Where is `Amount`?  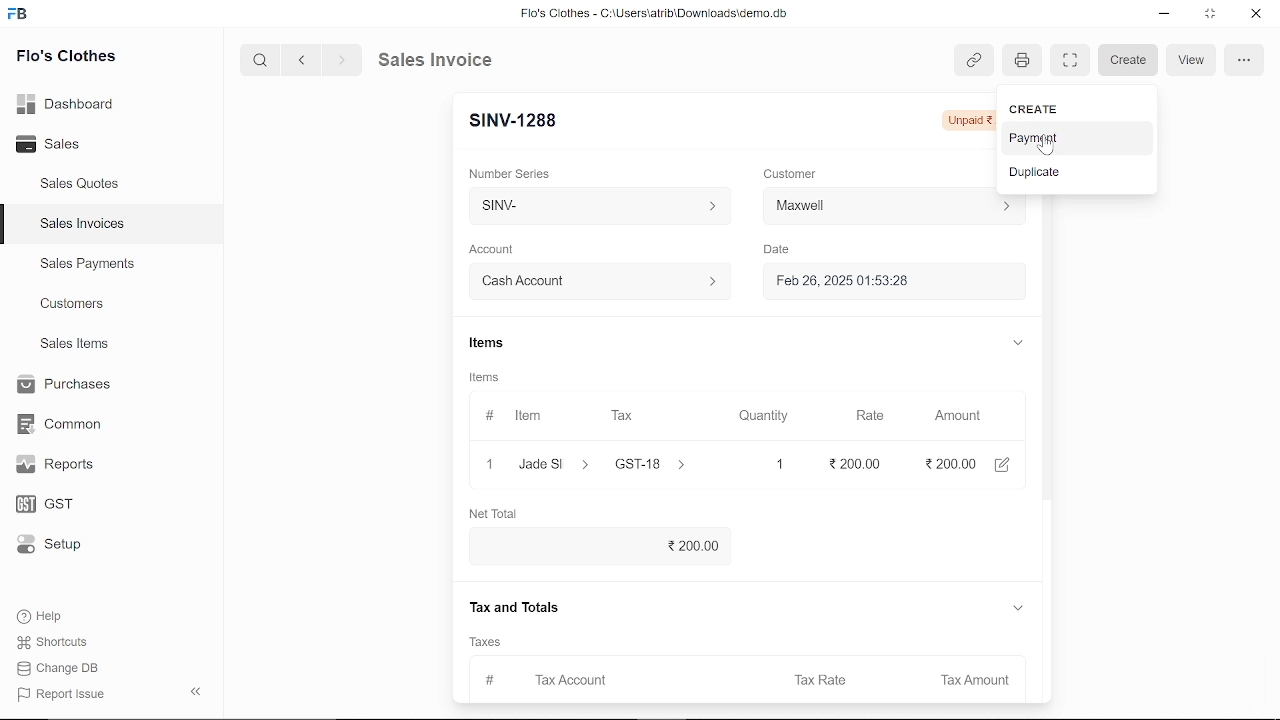
Amount is located at coordinates (958, 416).